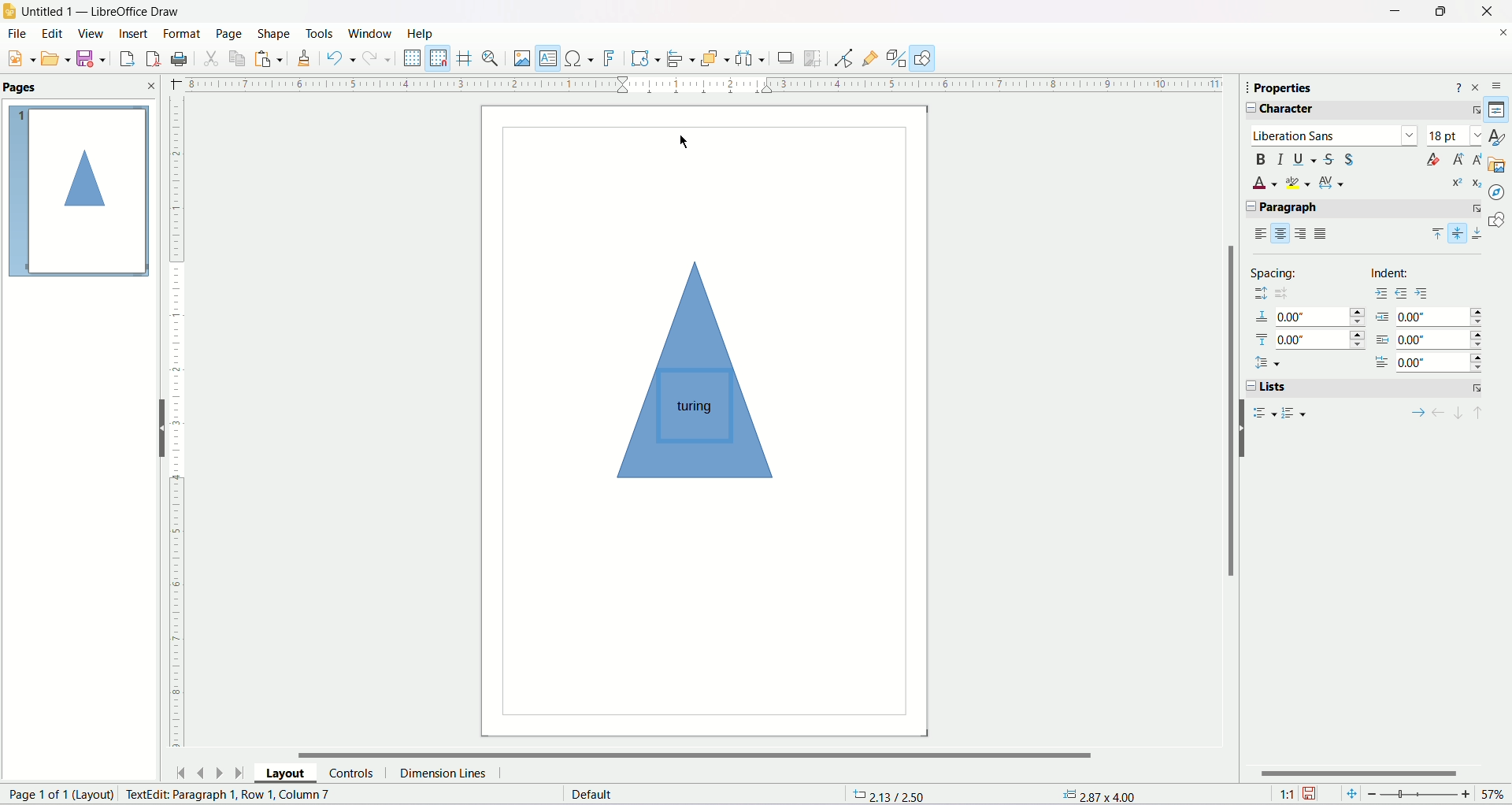 This screenshot has height=805, width=1512. Describe the element at coordinates (1455, 180) in the screenshot. I see `superscript` at that location.